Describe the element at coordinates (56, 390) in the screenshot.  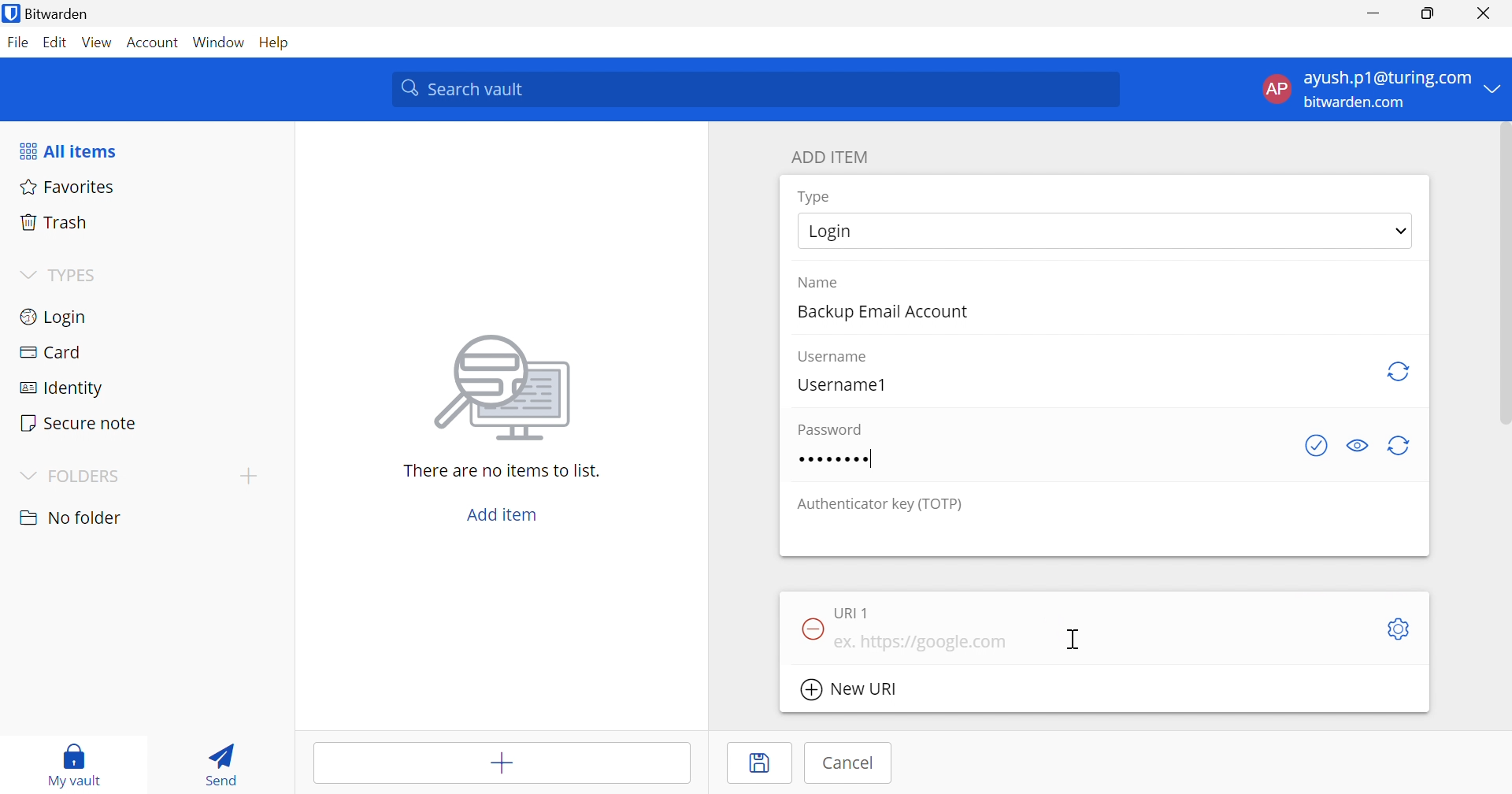
I see `Identity` at that location.